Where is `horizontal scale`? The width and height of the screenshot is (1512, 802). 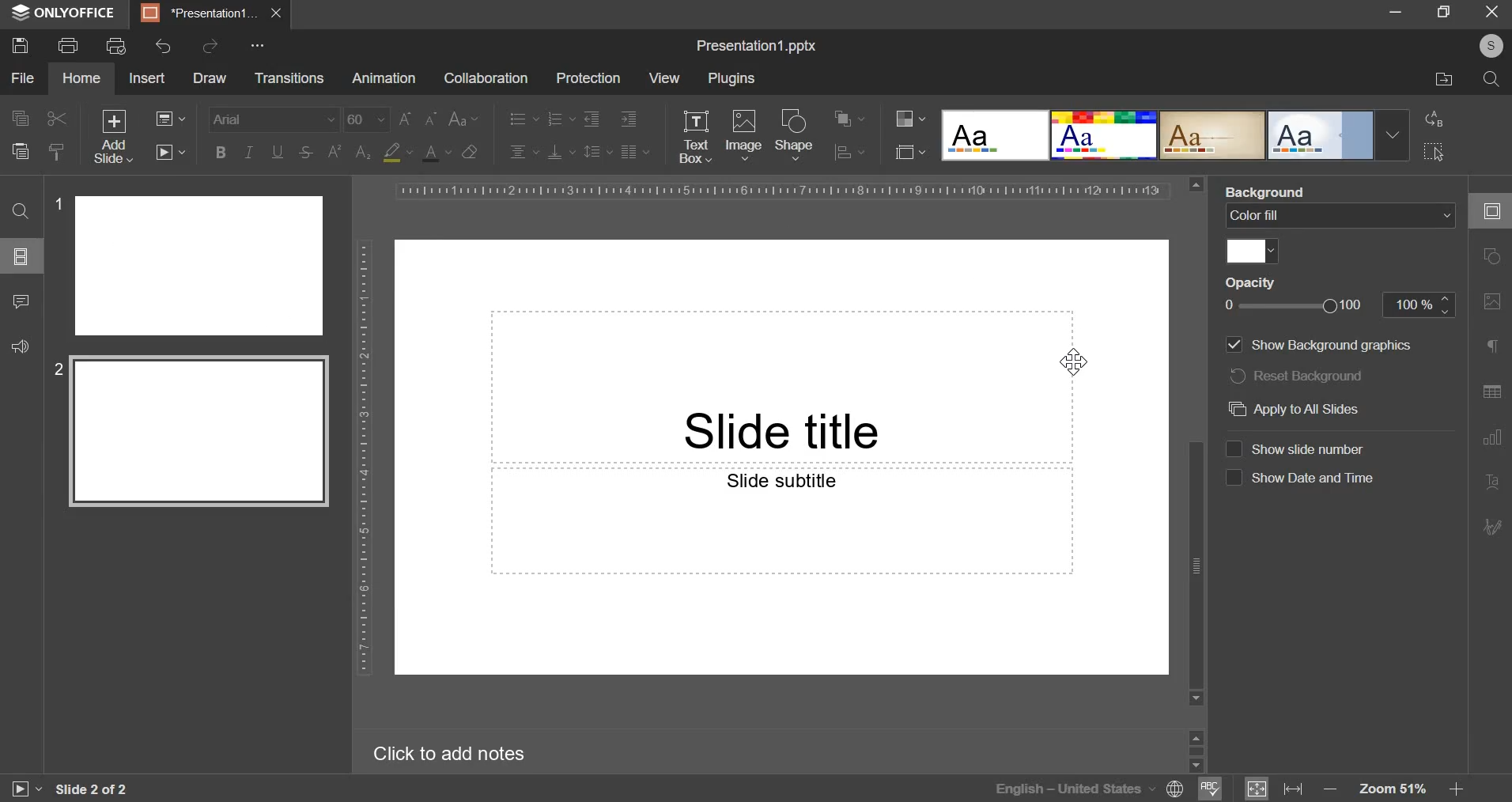 horizontal scale is located at coordinates (781, 191).